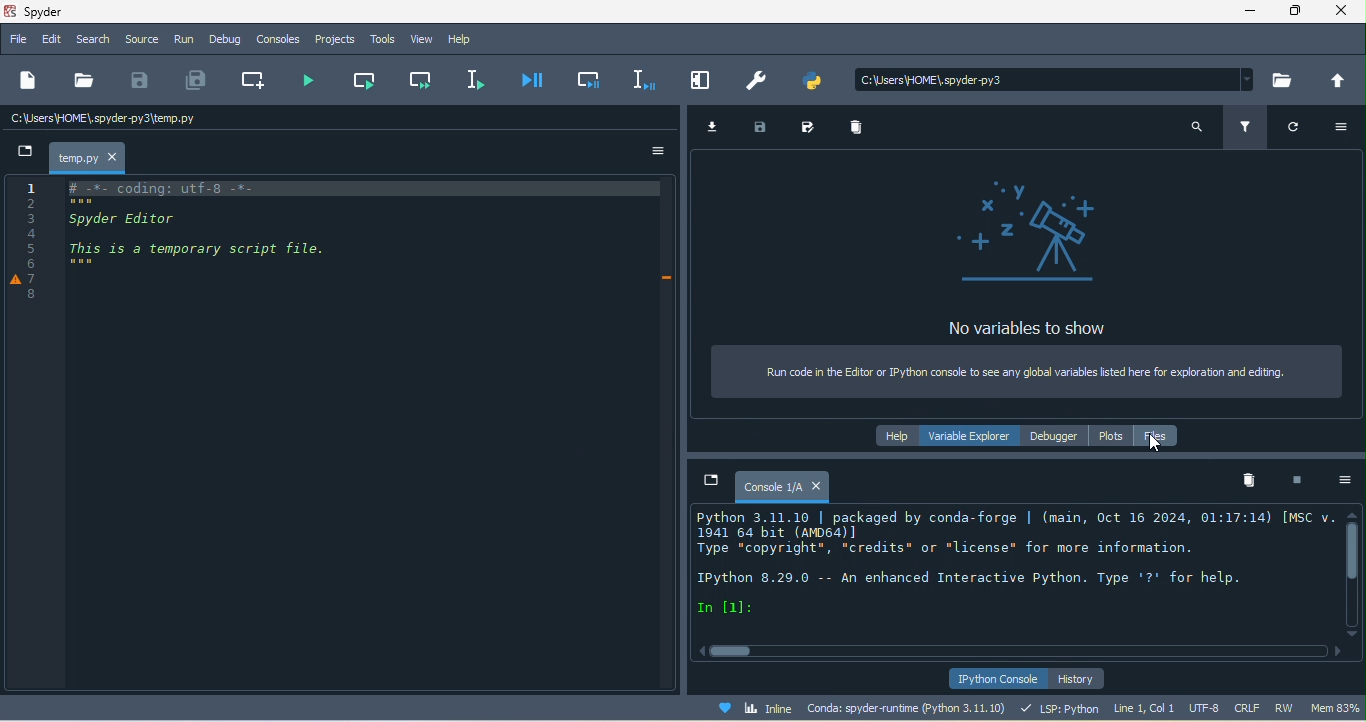 This screenshot has width=1366, height=722. Describe the element at coordinates (1058, 438) in the screenshot. I see `debugger` at that location.